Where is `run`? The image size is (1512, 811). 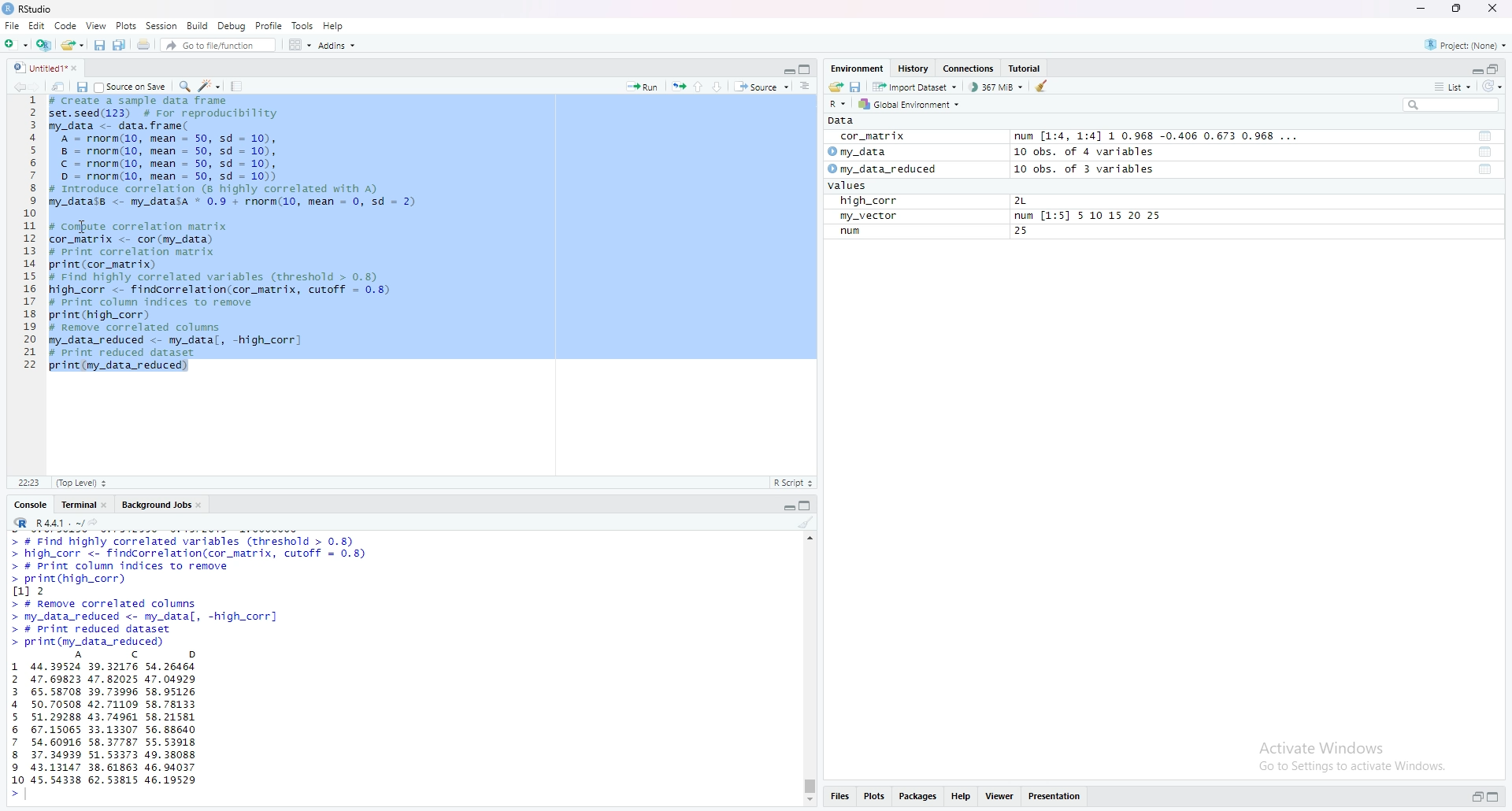 run is located at coordinates (679, 87).